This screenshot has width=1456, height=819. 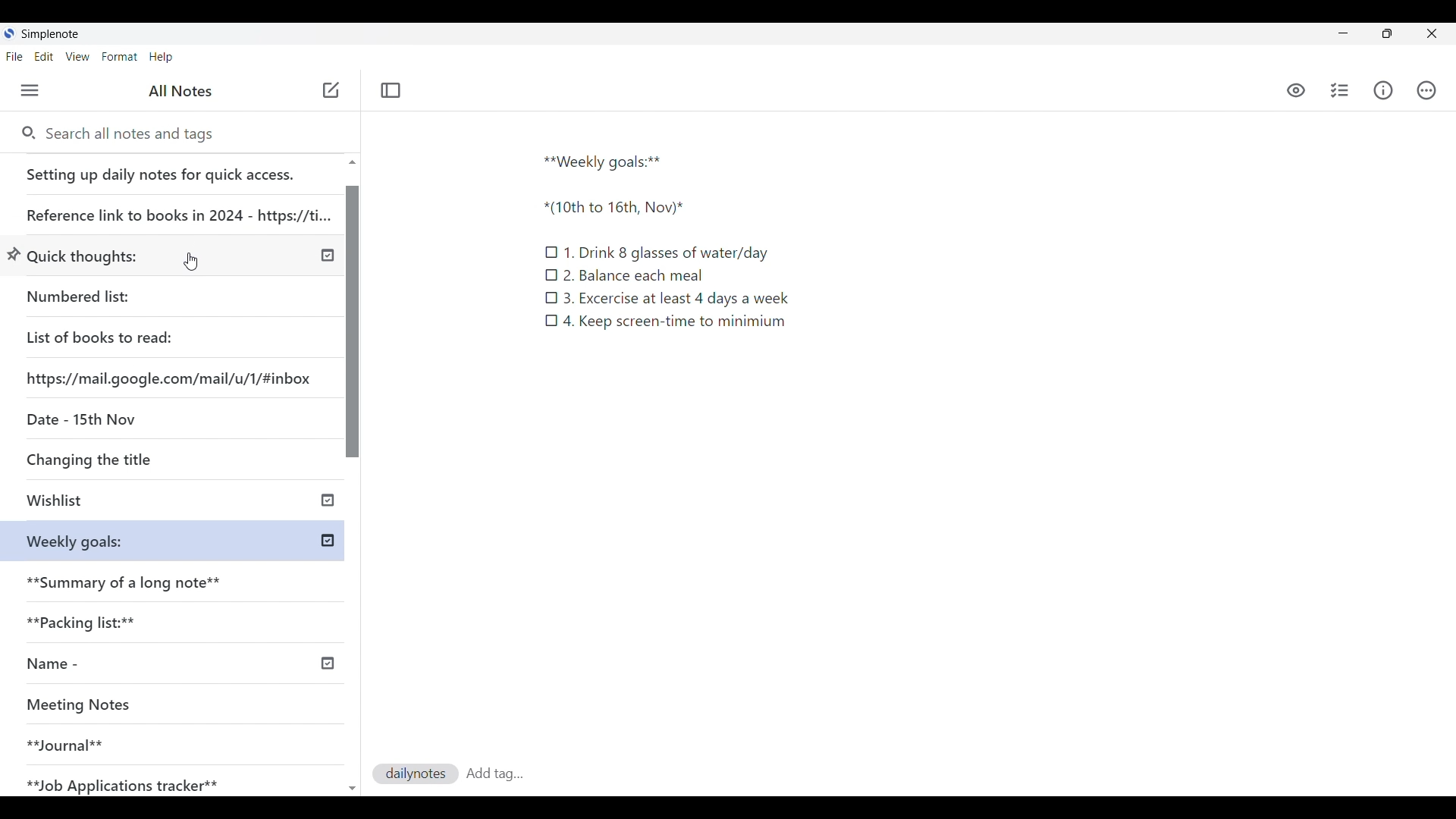 What do you see at coordinates (1387, 33) in the screenshot?
I see `toggle screen size` at bounding box center [1387, 33].